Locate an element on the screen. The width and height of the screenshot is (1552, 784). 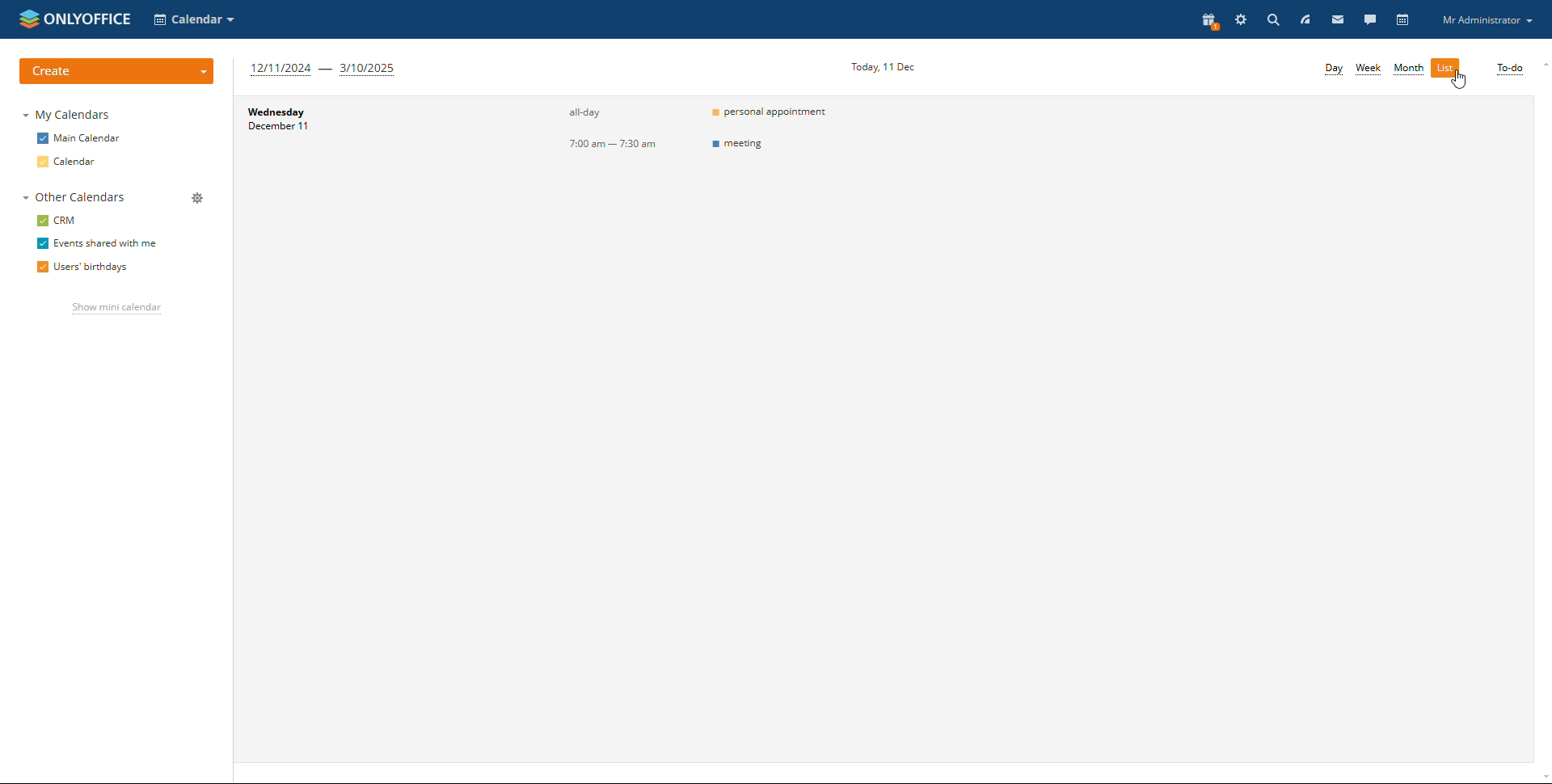
users' birthdays is located at coordinates (82, 268).